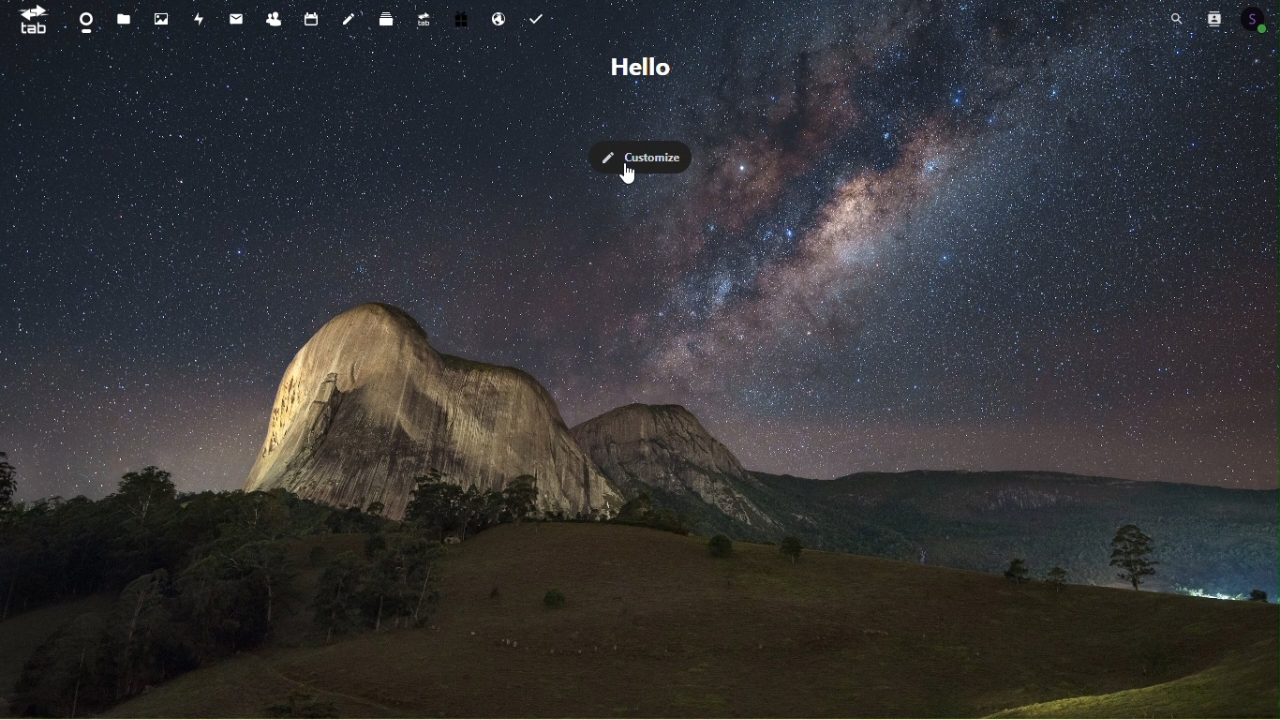 Image resolution: width=1280 pixels, height=720 pixels. Describe the element at coordinates (419, 18) in the screenshot. I see `Upgrade` at that location.